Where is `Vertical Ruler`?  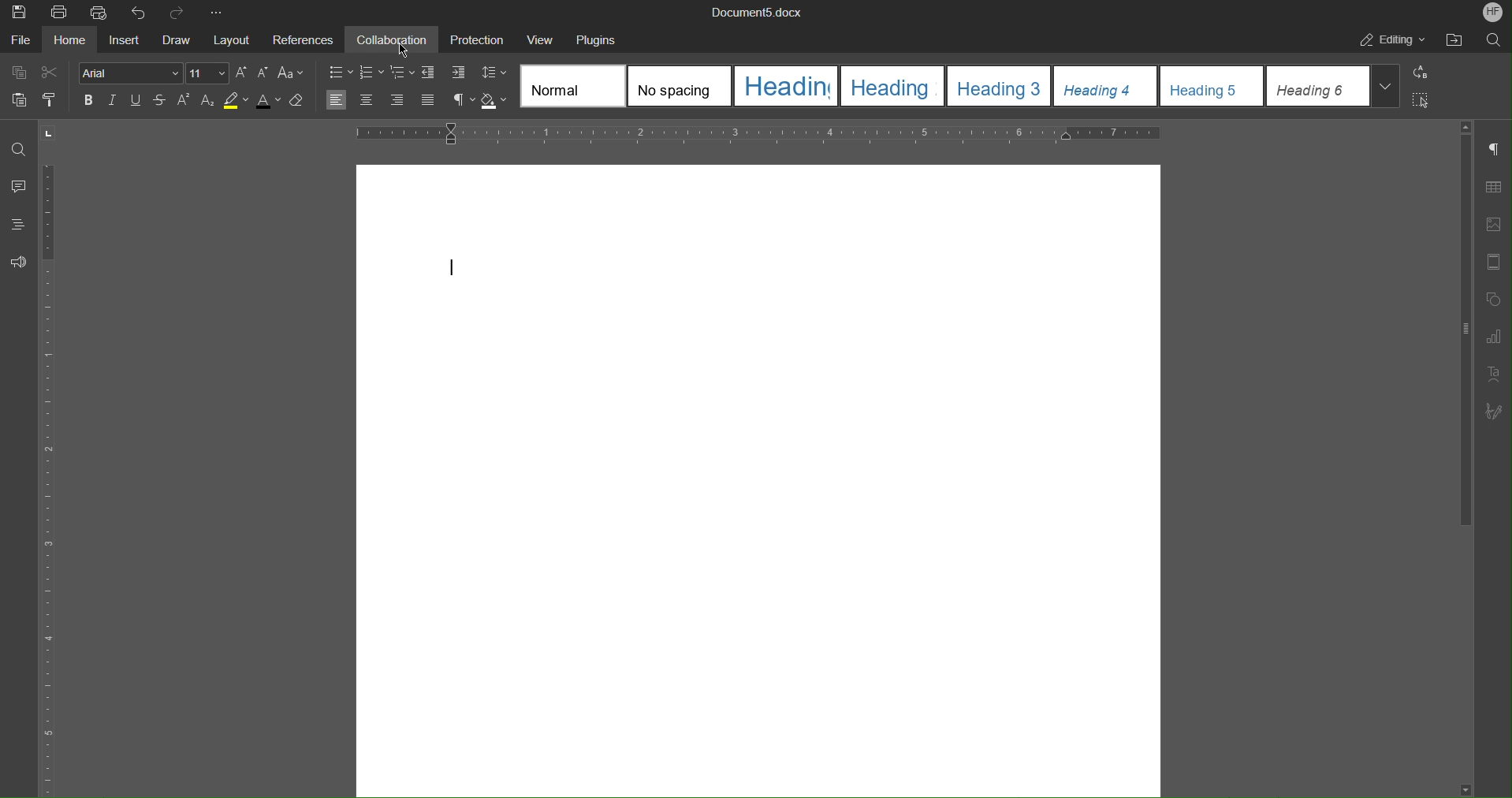 Vertical Ruler is located at coordinates (50, 481).